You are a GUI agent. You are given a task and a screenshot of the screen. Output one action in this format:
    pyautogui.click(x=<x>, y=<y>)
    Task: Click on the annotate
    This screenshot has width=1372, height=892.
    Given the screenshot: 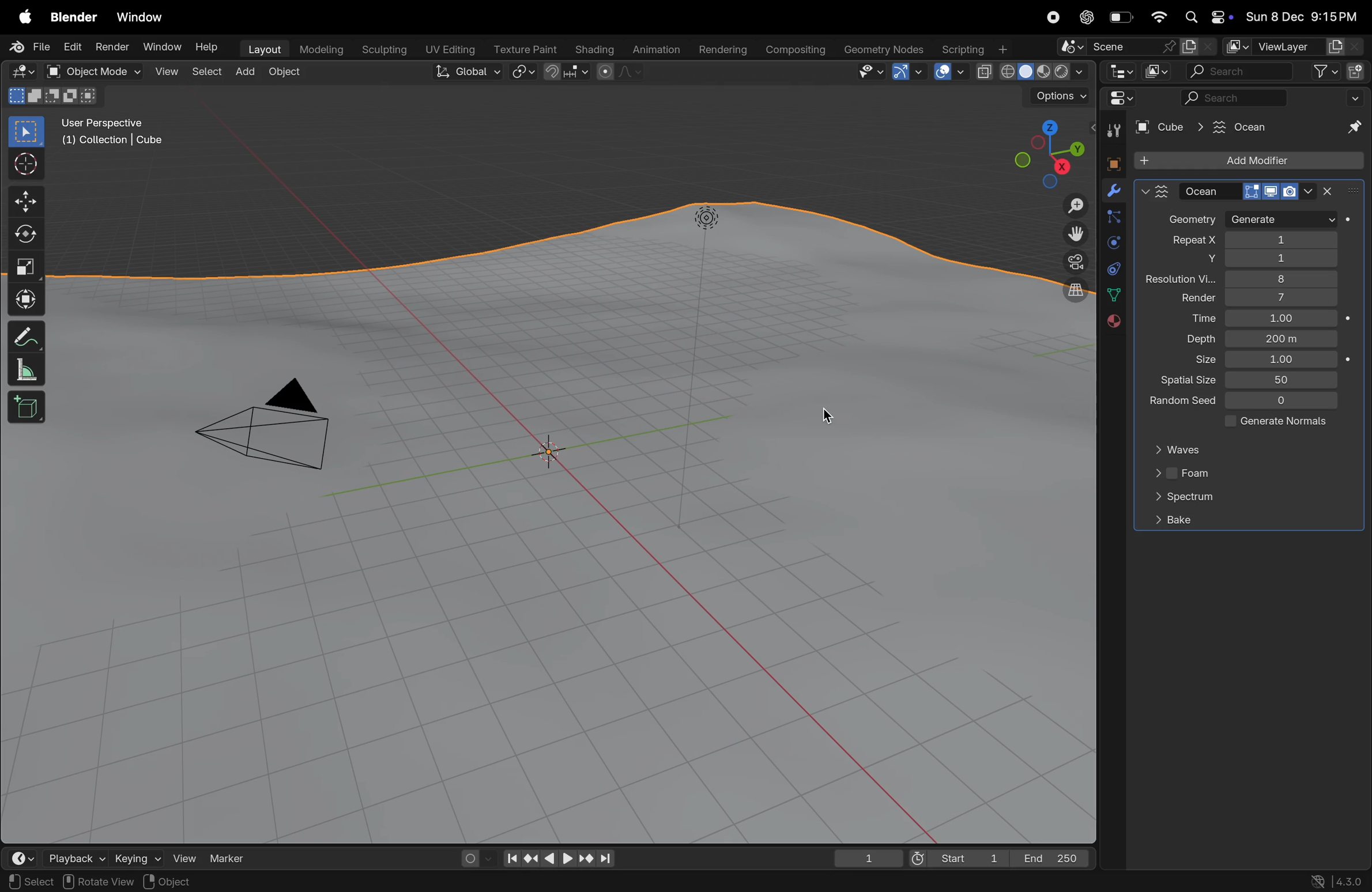 What is the action you would take?
    pyautogui.click(x=26, y=337)
    